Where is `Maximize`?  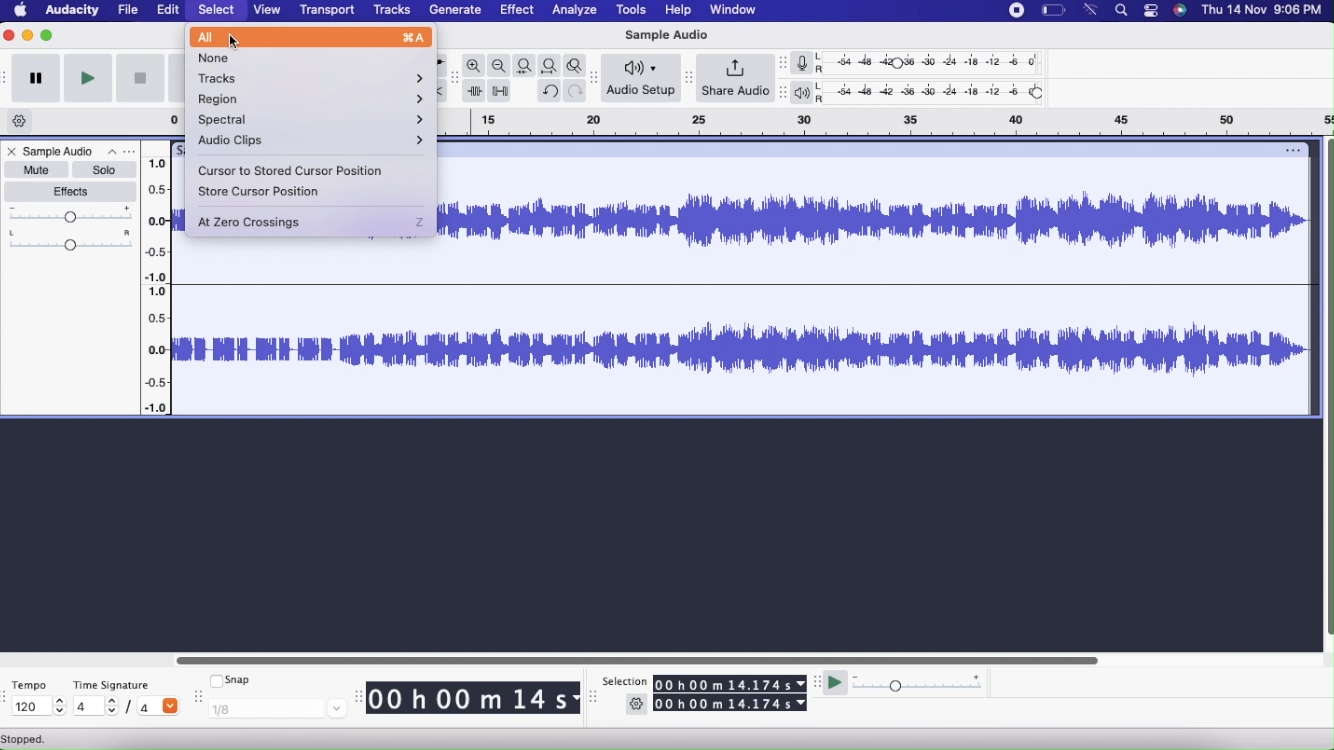 Maximize is located at coordinates (49, 33).